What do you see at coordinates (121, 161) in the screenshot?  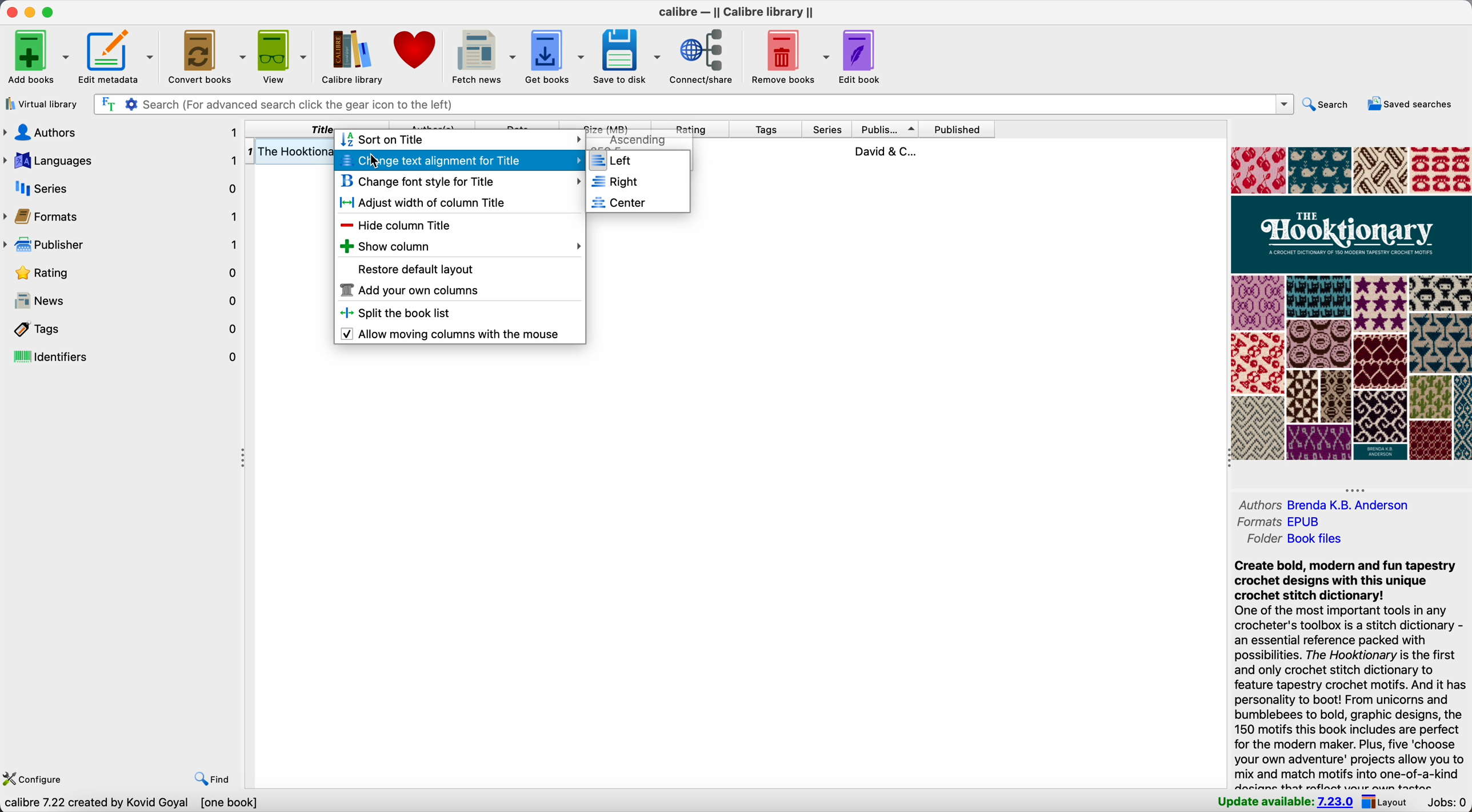 I see `languages` at bounding box center [121, 161].